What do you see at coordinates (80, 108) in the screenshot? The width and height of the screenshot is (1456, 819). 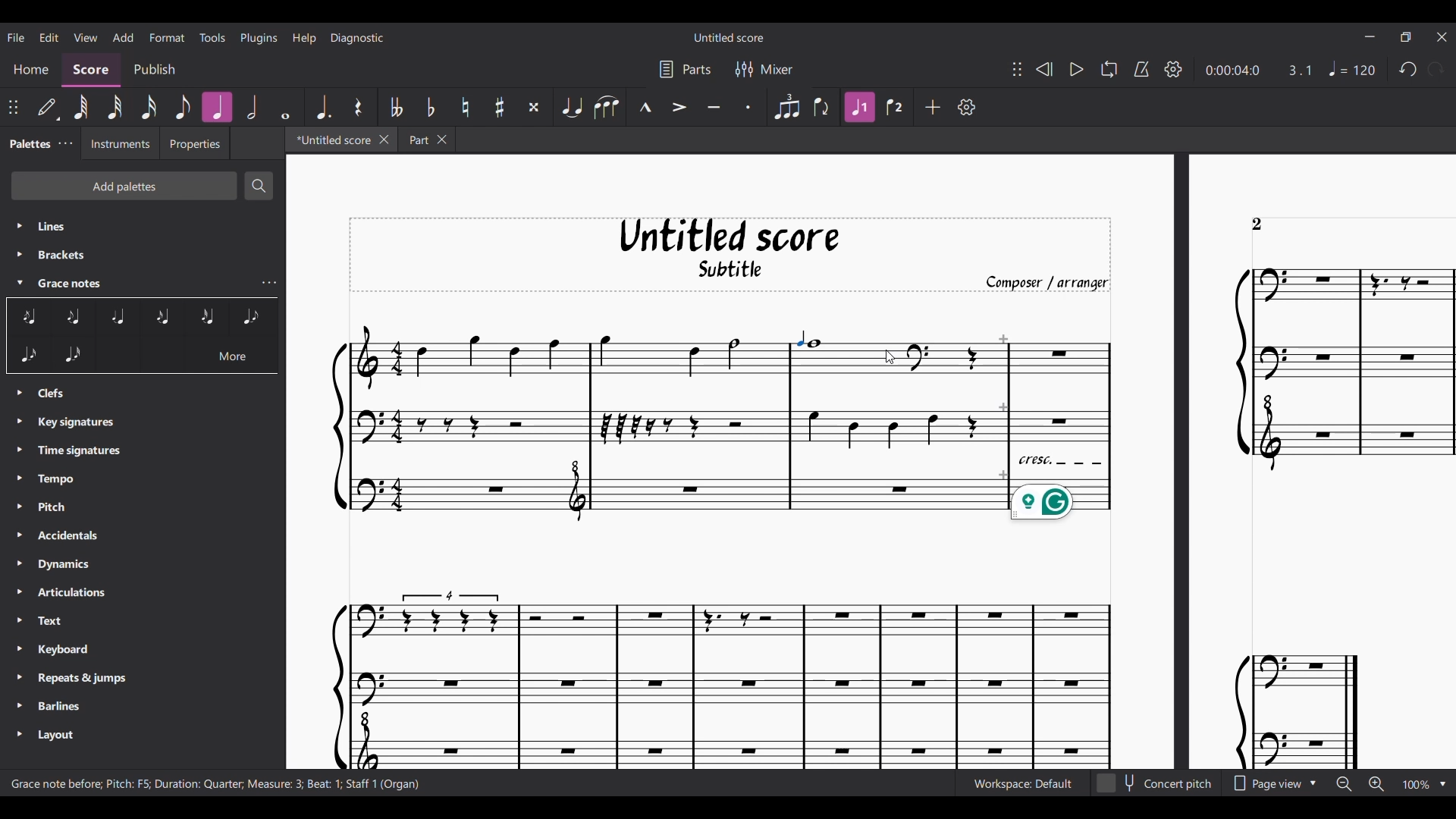 I see `64th note` at bounding box center [80, 108].